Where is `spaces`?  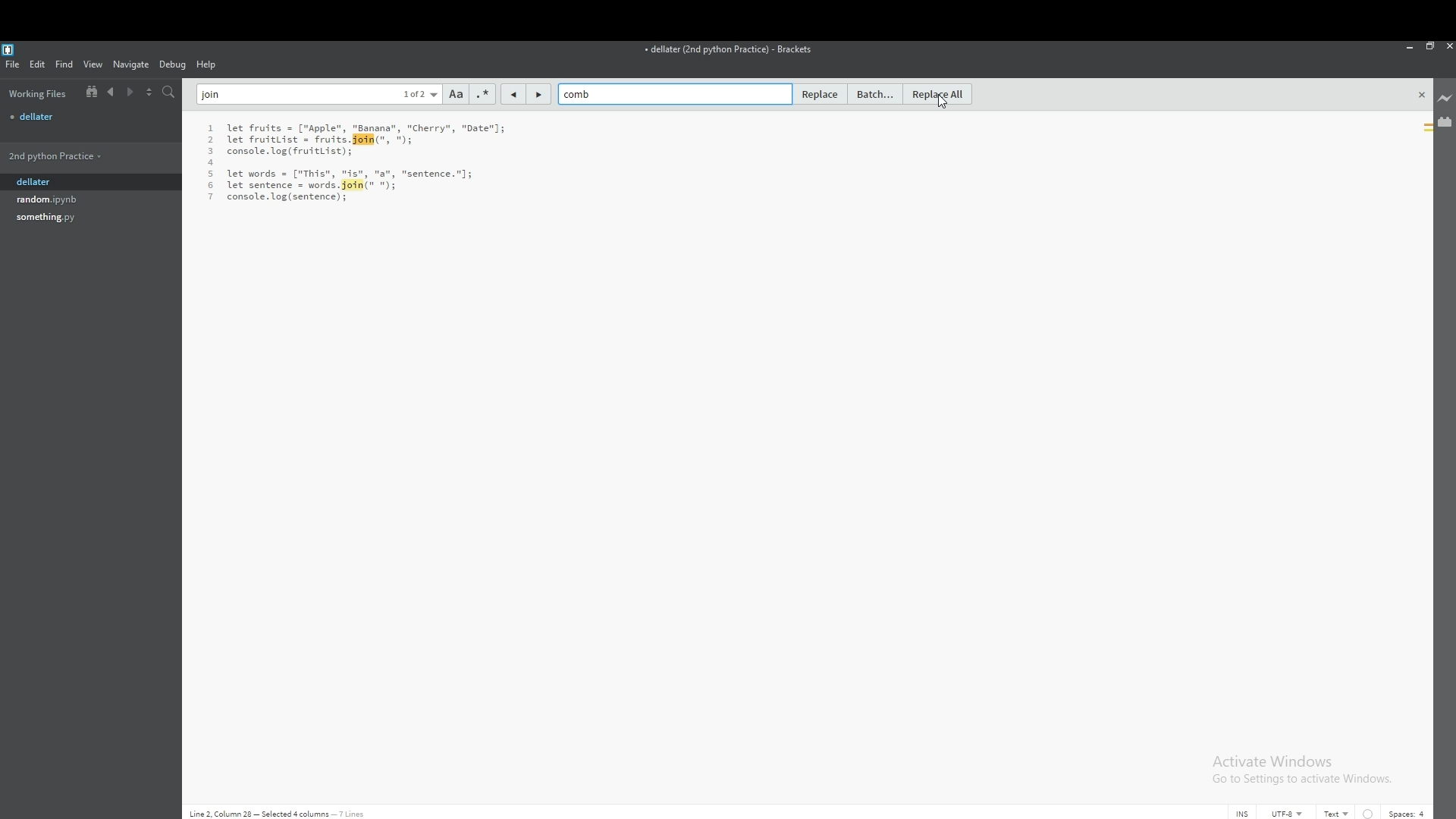 spaces is located at coordinates (1409, 812).